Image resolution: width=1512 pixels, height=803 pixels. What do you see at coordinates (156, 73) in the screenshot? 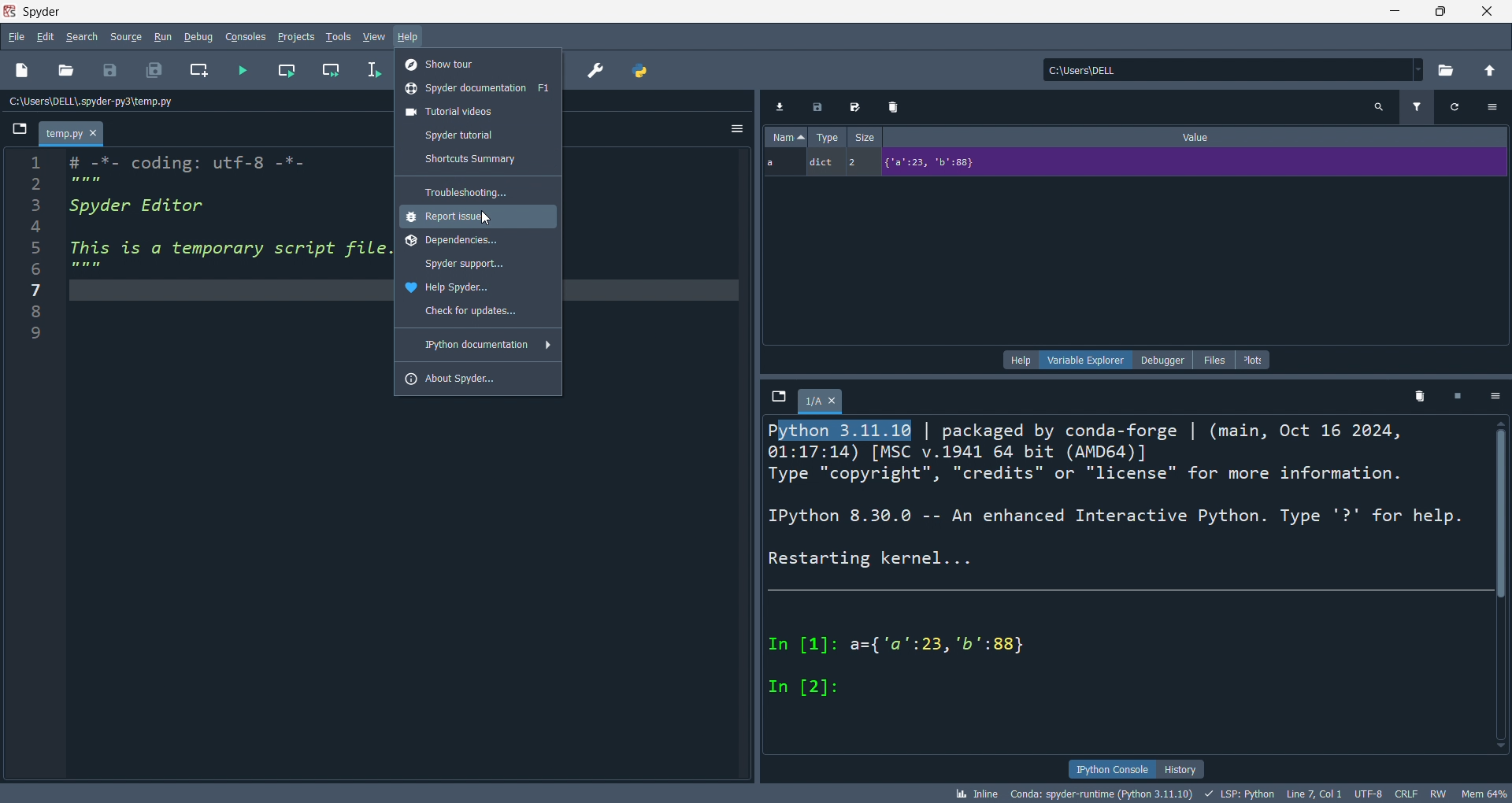
I see `save all` at bounding box center [156, 73].